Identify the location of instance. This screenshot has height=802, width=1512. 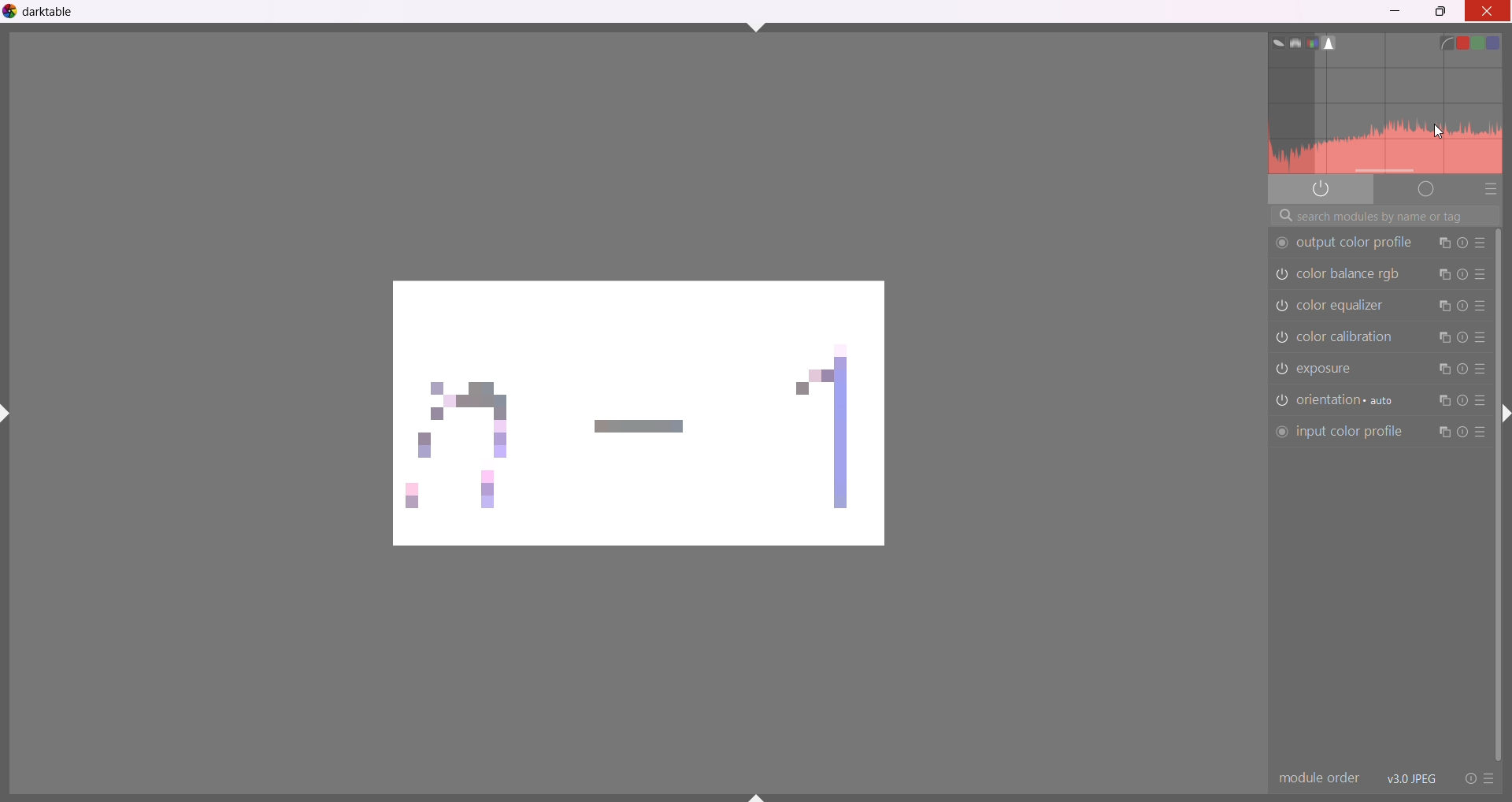
(1443, 306).